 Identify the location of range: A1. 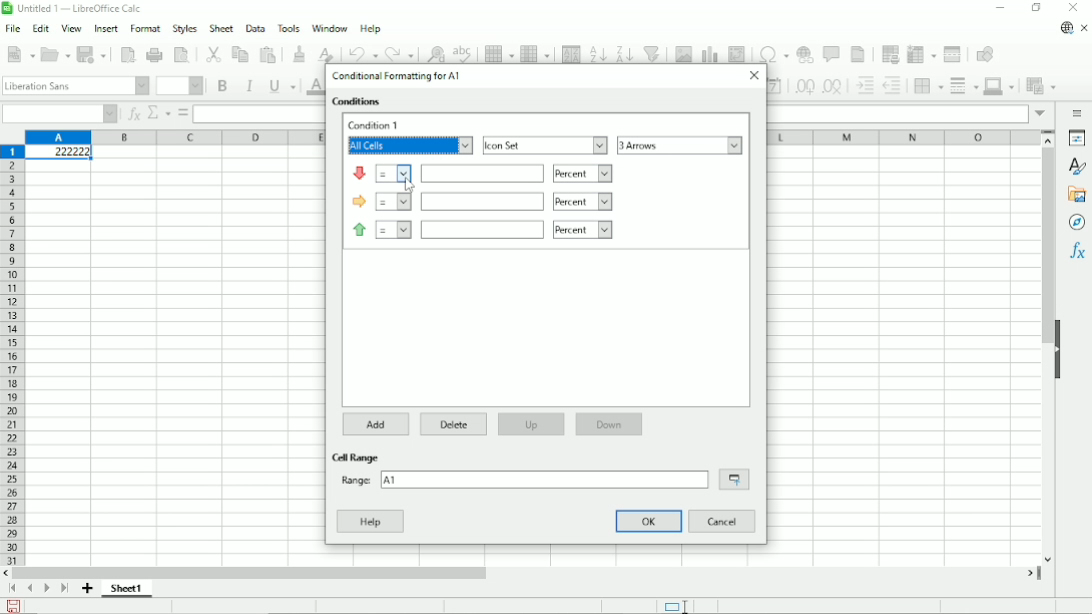
(522, 479).